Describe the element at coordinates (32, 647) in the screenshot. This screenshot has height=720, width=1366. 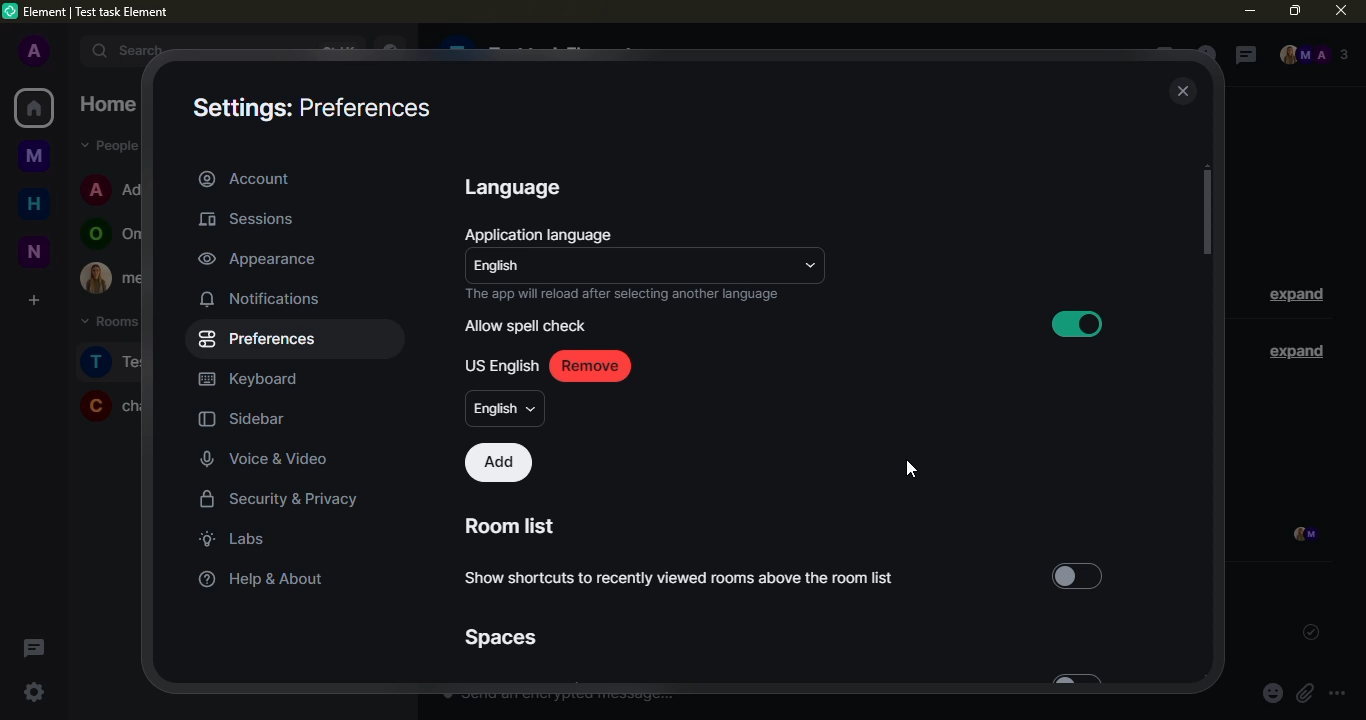
I see `threads` at that location.